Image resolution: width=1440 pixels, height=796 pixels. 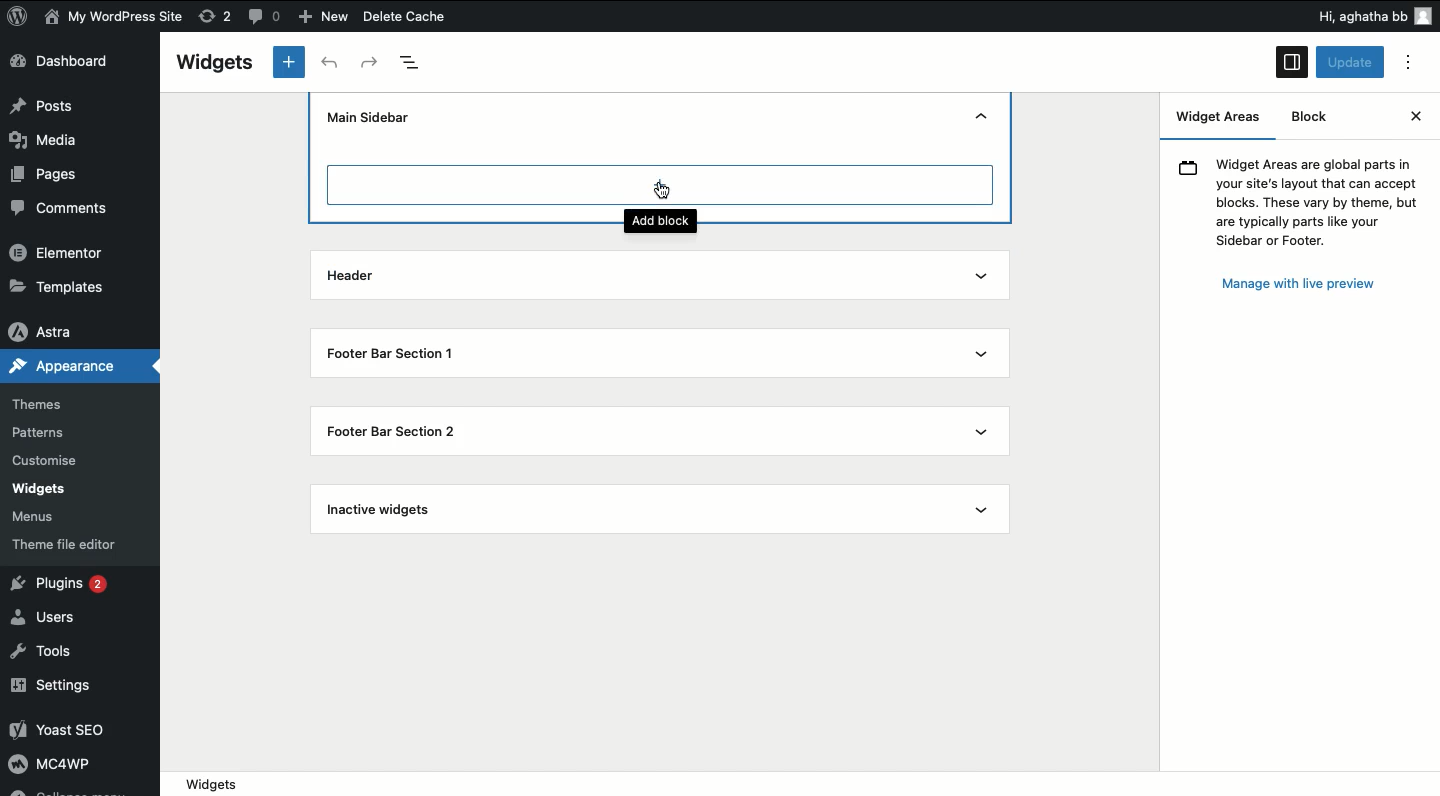 I want to click on Elementor, so click(x=58, y=250).